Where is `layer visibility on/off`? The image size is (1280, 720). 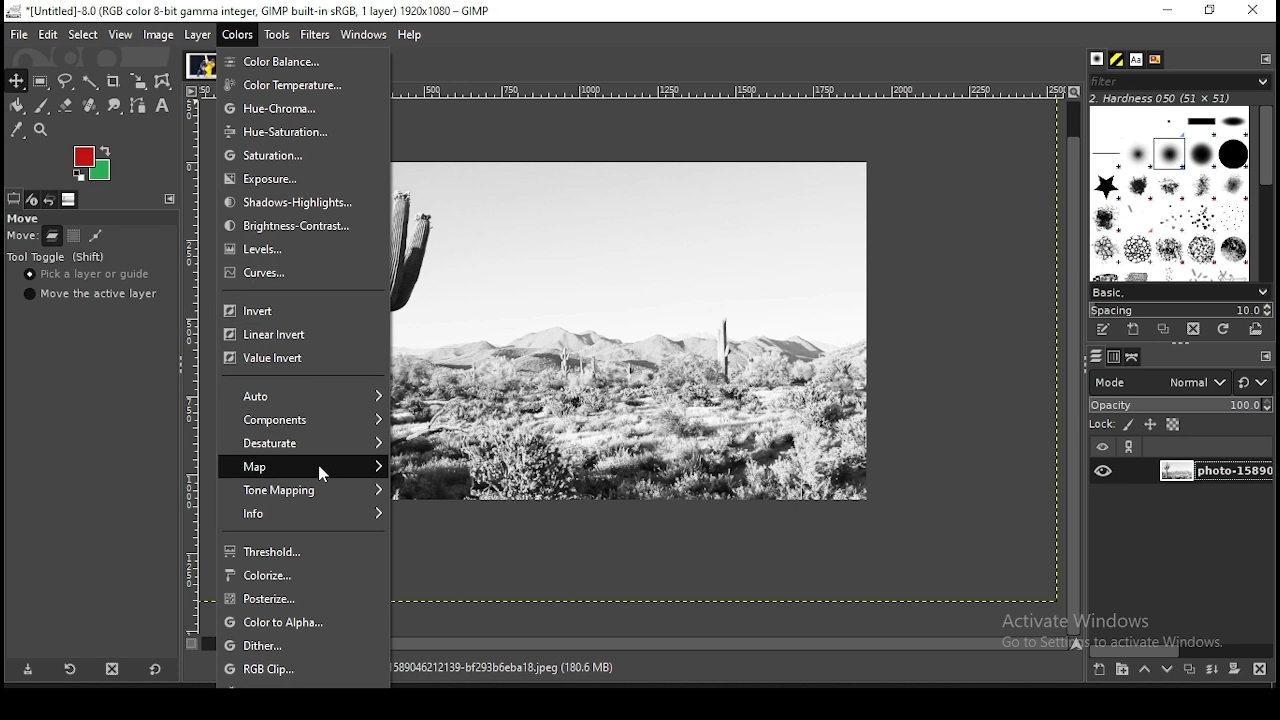 layer visibility on/off is located at coordinates (1103, 472).